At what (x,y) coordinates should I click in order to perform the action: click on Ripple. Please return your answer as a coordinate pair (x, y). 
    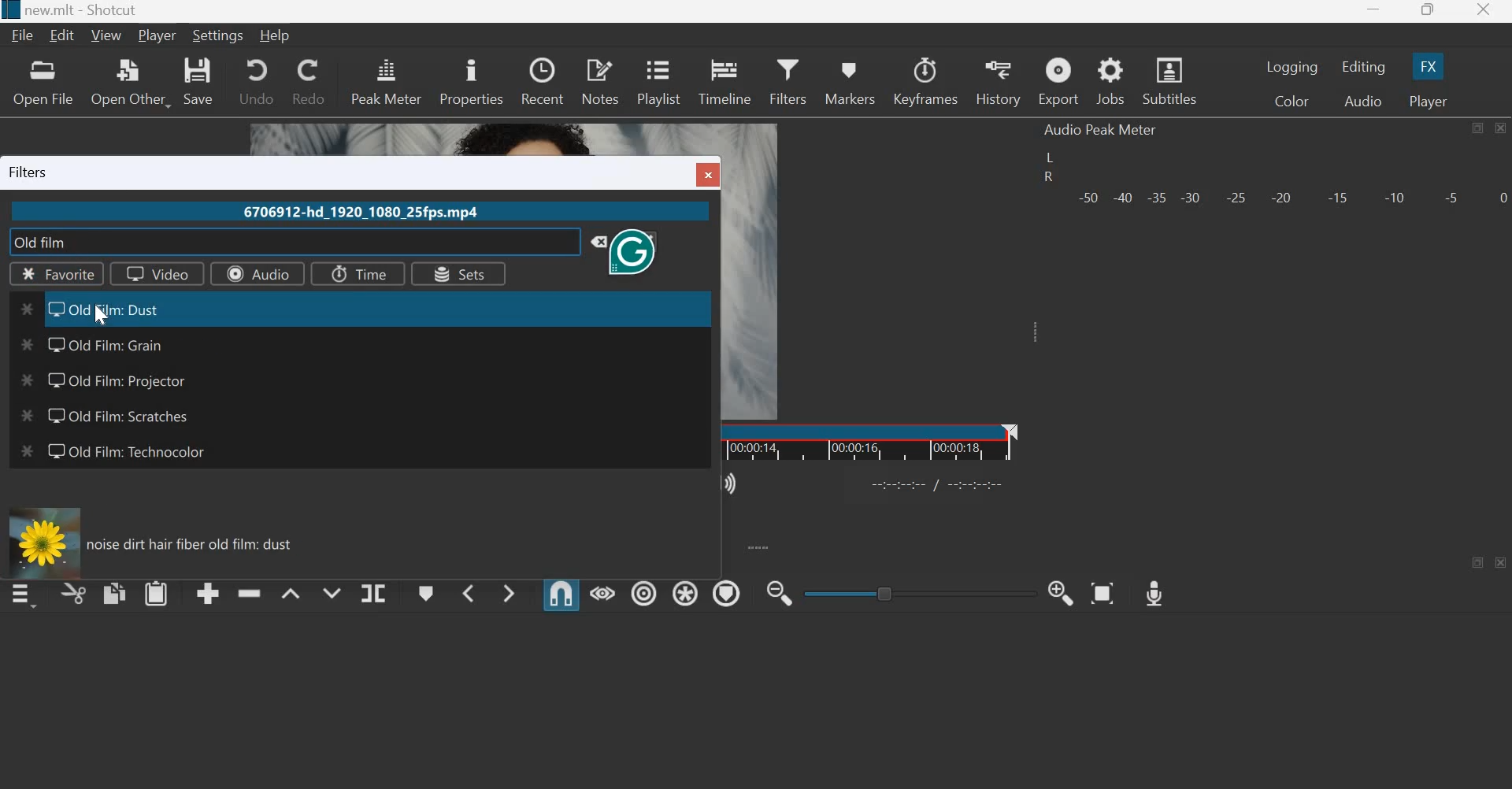
    Looking at the image, I should click on (644, 591).